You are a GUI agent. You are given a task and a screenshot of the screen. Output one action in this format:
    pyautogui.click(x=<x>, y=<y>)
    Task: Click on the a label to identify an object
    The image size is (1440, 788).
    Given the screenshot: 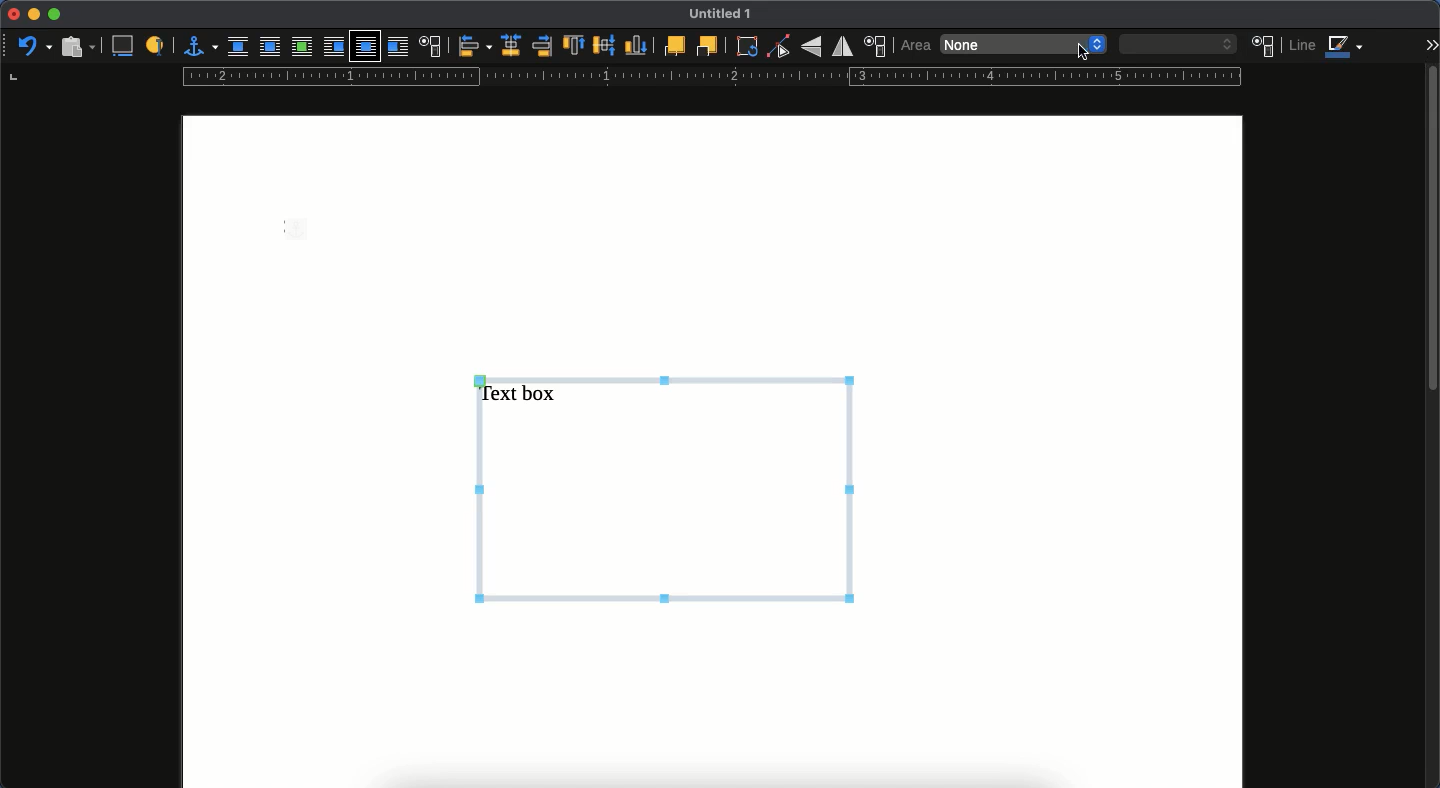 What is the action you would take?
    pyautogui.click(x=156, y=46)
    